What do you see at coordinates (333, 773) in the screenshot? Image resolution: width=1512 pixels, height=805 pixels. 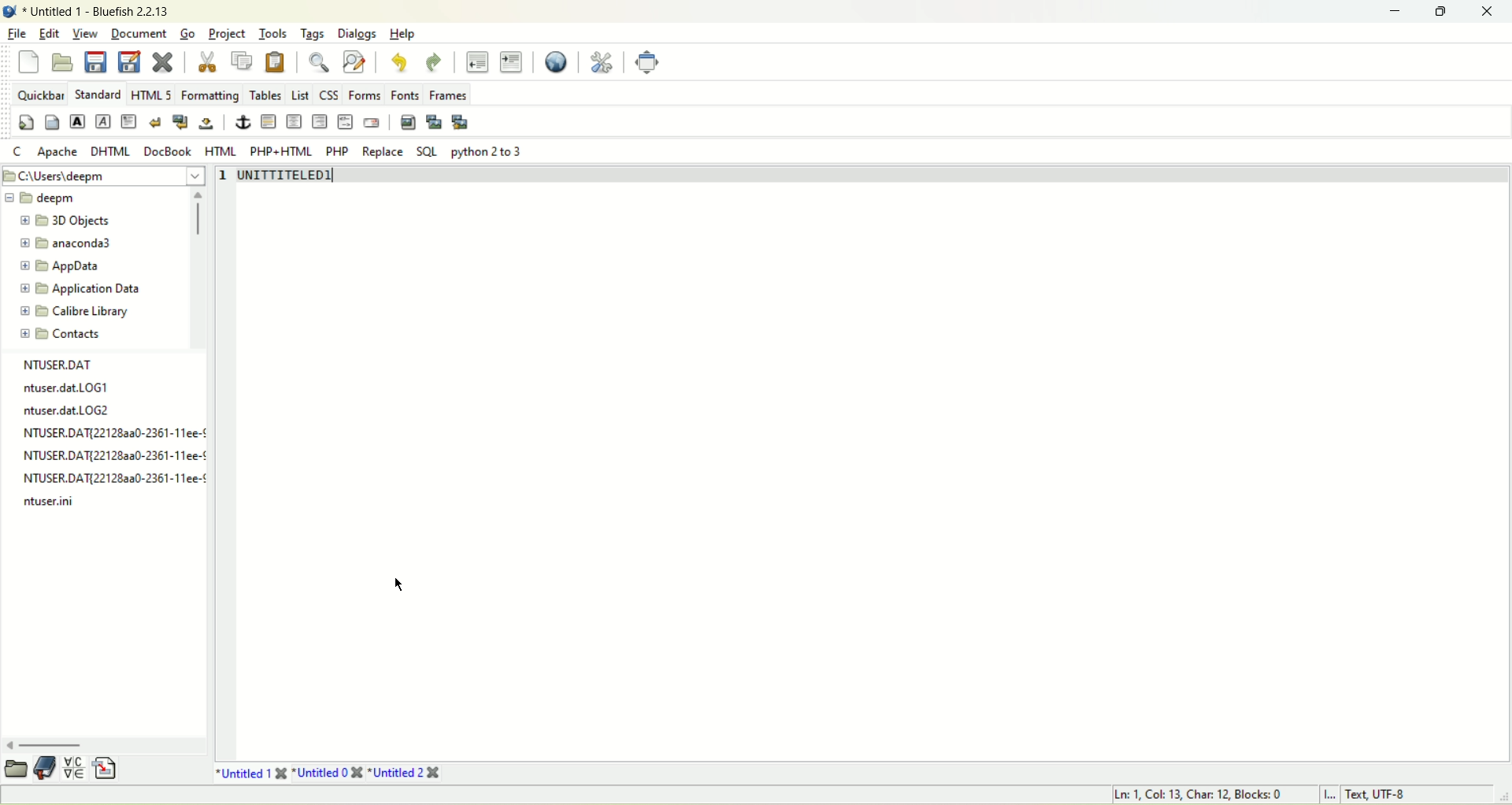 I see `title0` at bounding box center [333, 773].